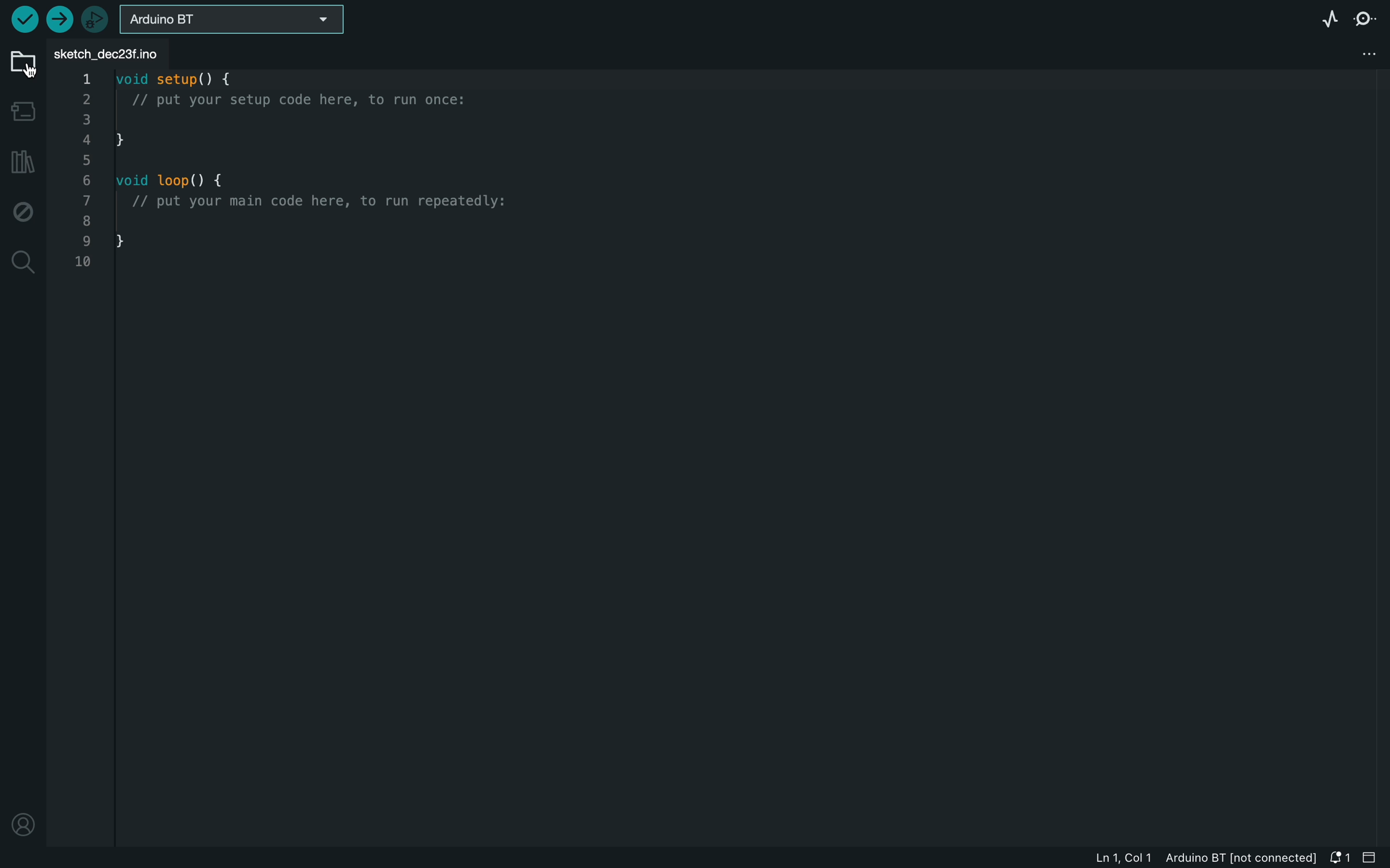 This screenshot has width=1390, height=868. What do you see at coordinates (61, 19) in the screenshot?
I see `upload` at bounding box center [61, 19].